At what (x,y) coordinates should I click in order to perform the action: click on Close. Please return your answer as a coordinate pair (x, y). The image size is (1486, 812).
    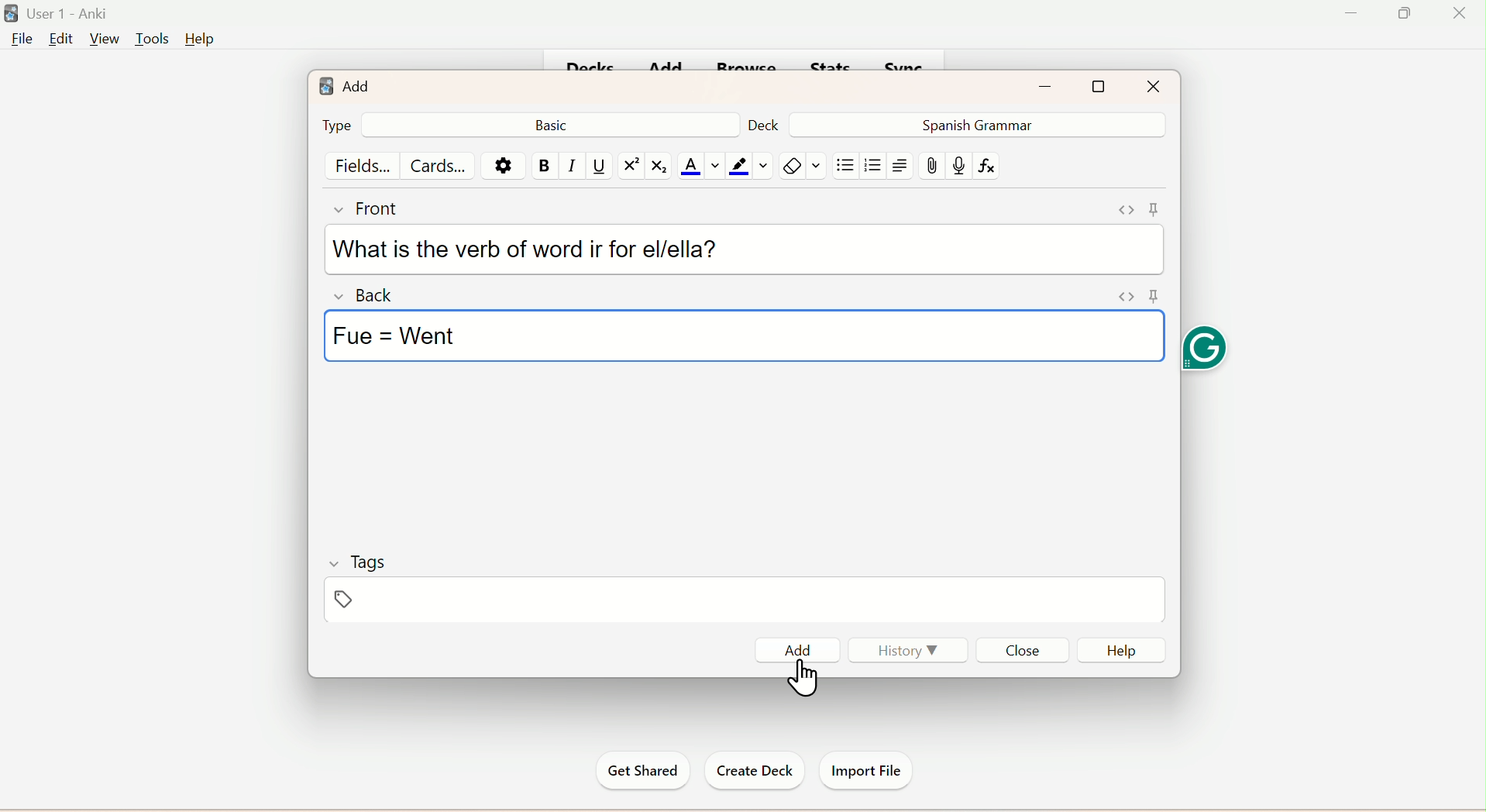
    Looking at the image, I should click on (1152, 85).